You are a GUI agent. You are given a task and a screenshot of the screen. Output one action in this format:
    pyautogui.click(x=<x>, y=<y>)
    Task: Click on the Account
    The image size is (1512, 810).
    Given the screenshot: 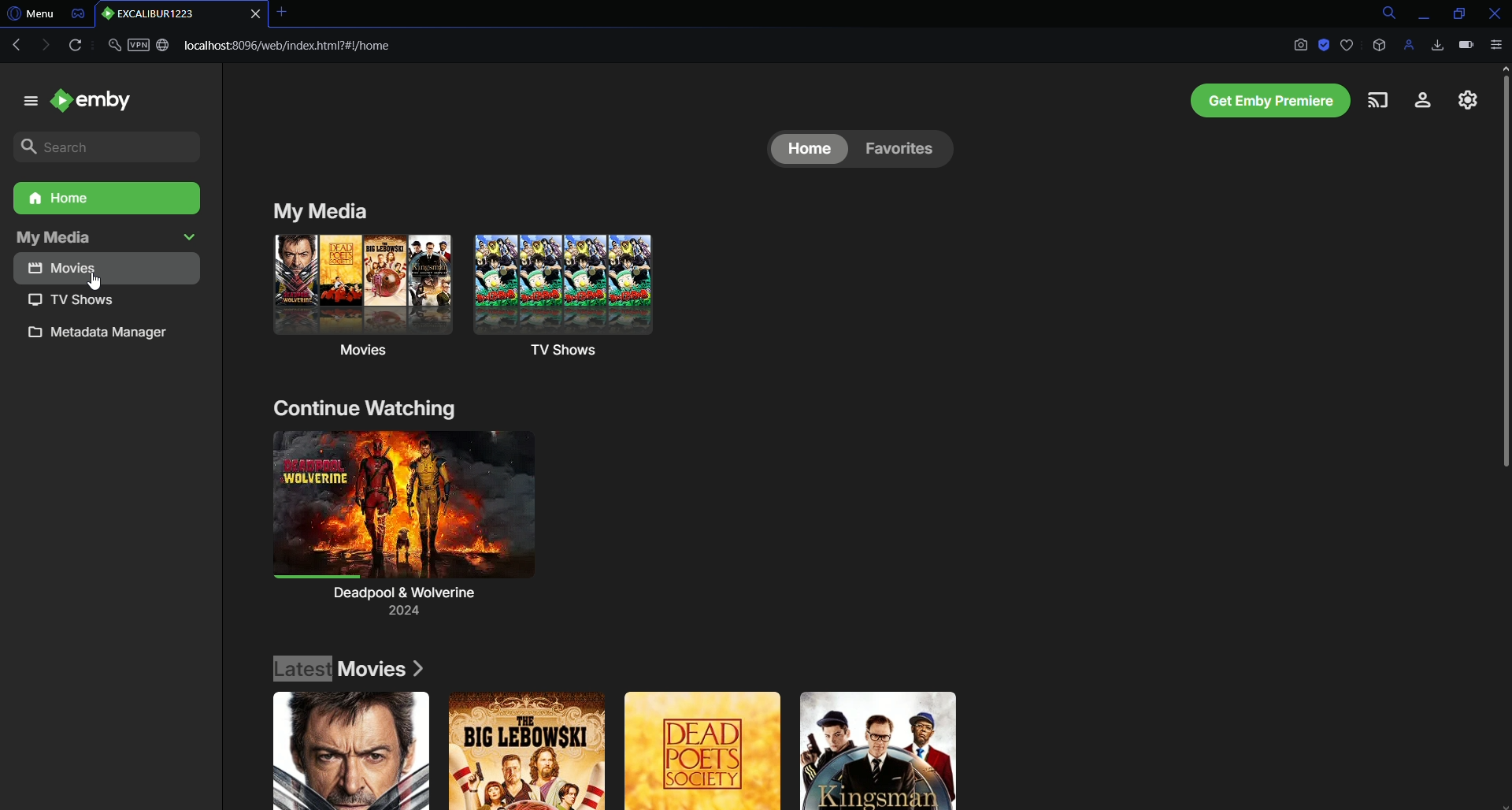 What is the action you would take?
    pyautogui.click(x=1416, y=102)
    